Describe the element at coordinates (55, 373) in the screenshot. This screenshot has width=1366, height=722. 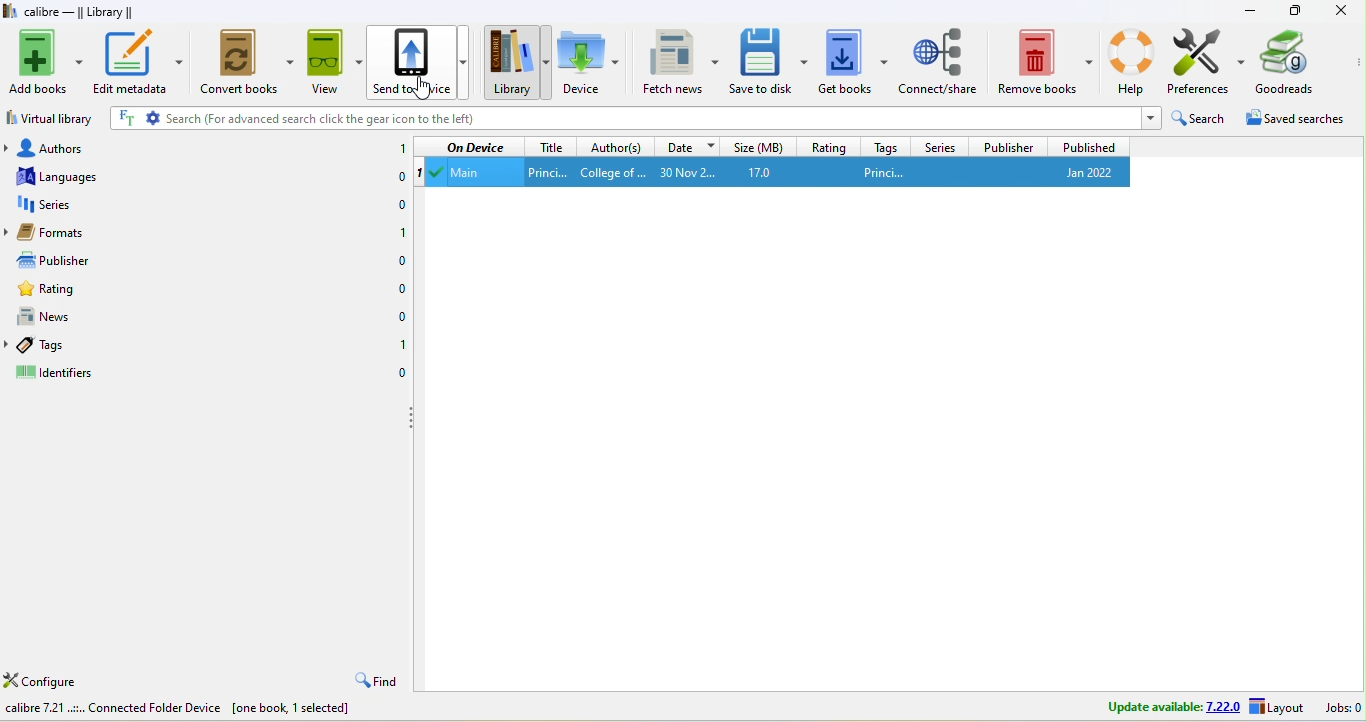
I see `identifiers` at that location.